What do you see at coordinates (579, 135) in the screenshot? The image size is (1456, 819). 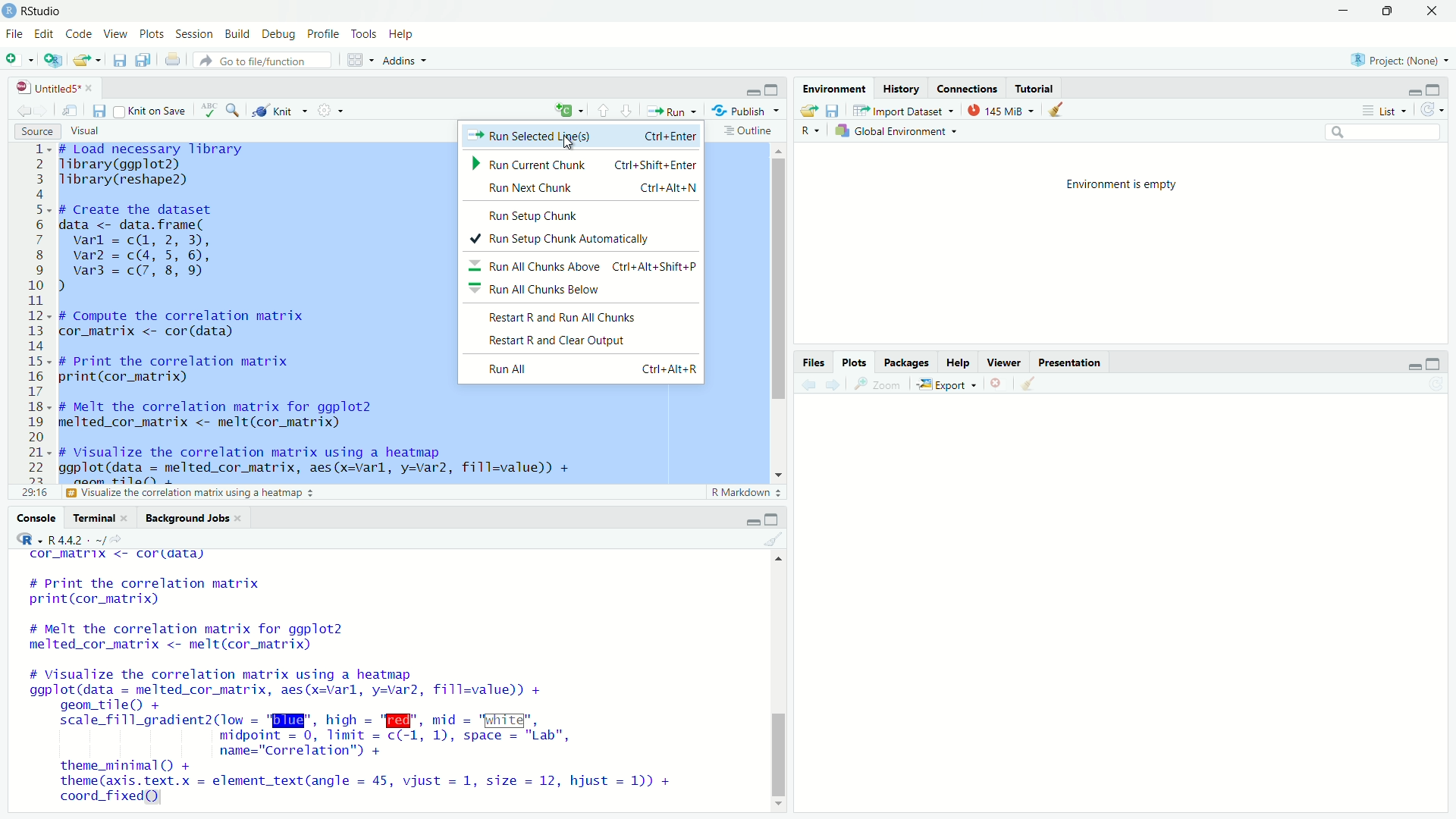 I see `run selected lines` at bounding box center [579, 135].